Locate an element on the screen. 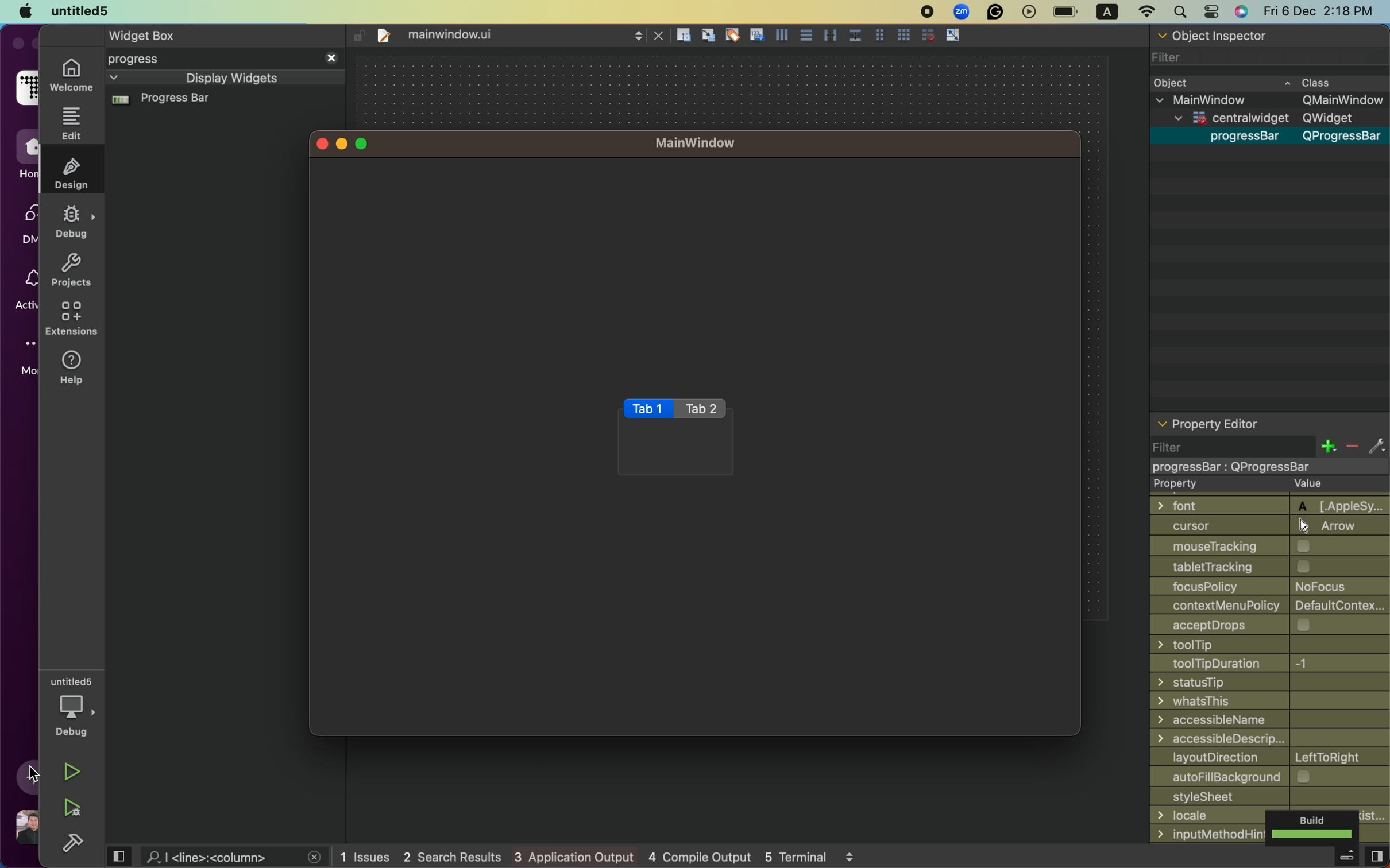 This screenshot has height=868, width=1390. Build is located at coordinates (1313, 827).